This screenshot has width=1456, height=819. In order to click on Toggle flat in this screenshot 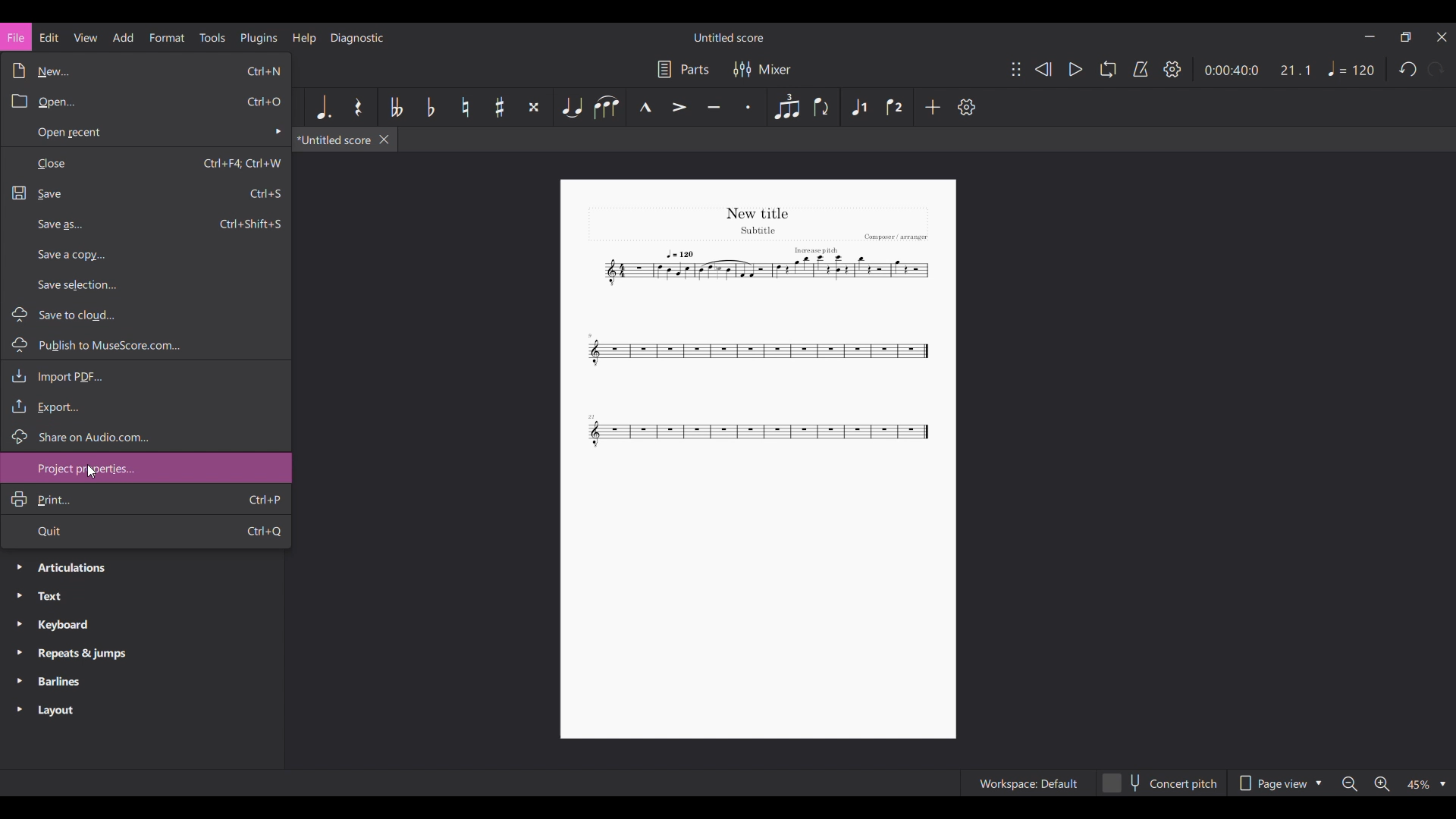, I will do `click(431, 107)`.